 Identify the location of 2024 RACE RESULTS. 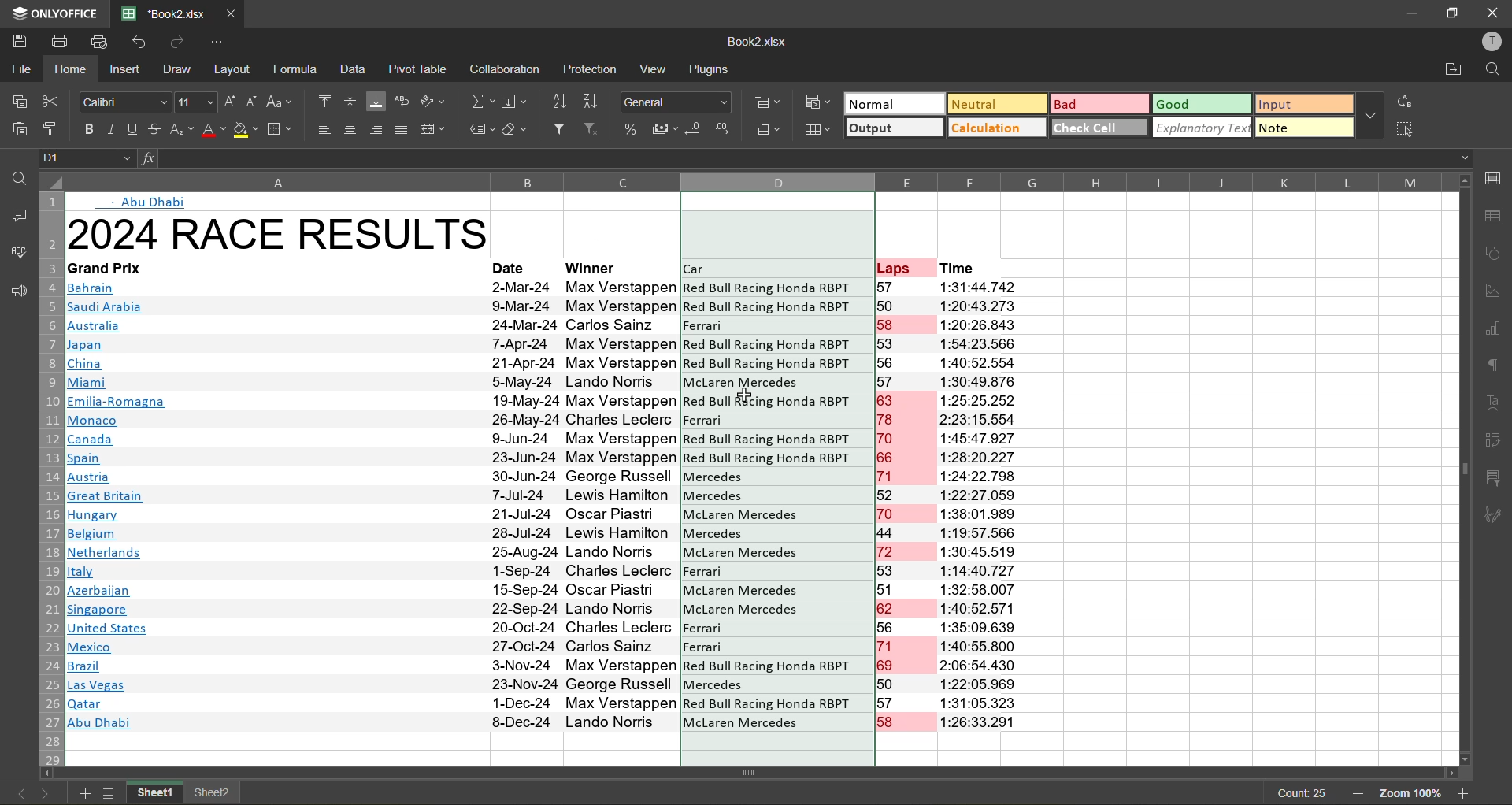
(284, 233).